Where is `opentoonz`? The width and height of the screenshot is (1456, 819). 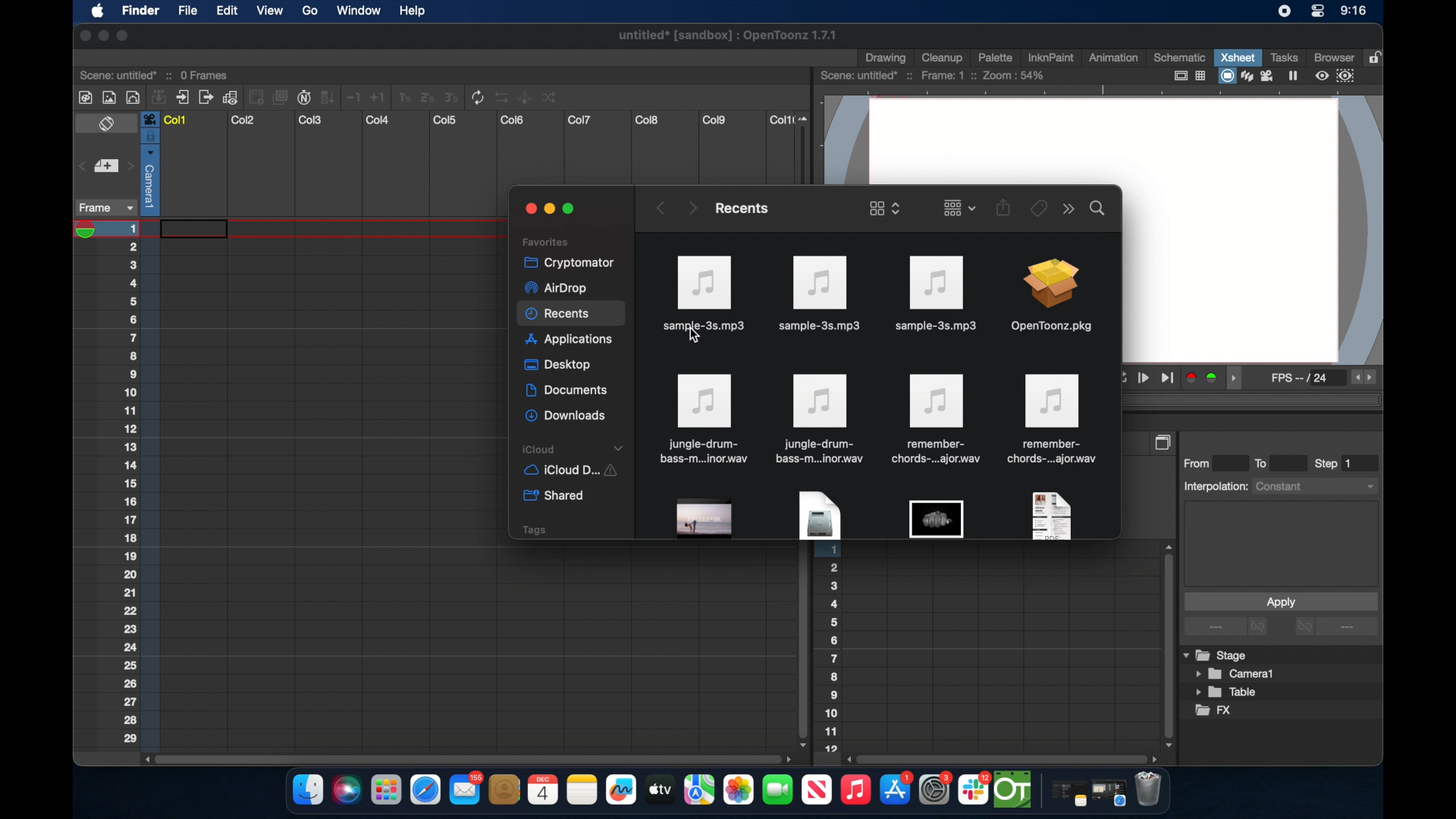
opentoonz is located at coordinates (1014, 790).